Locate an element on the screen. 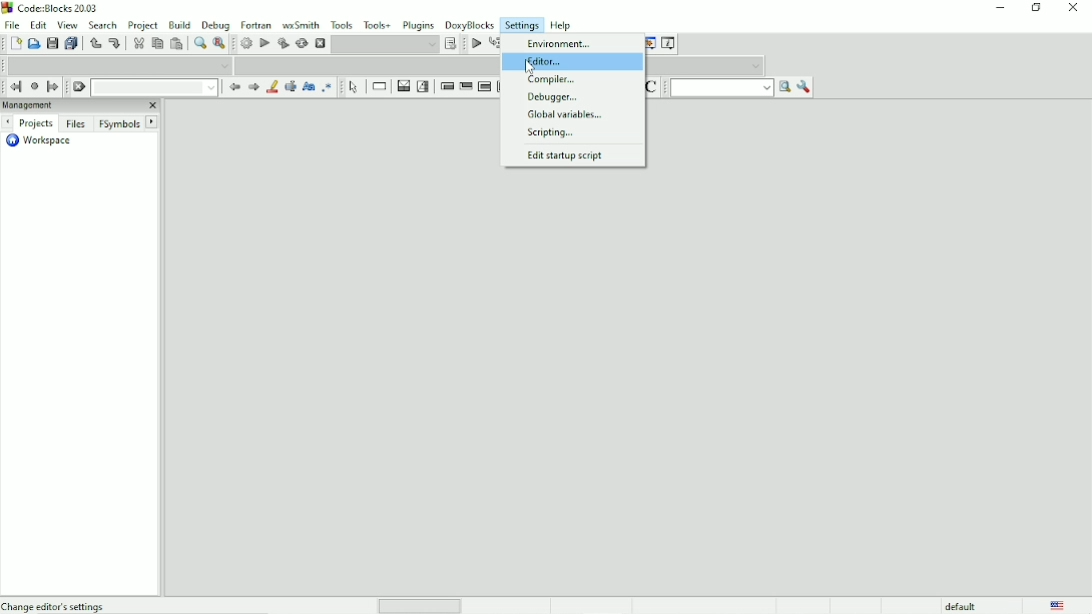 This screenshot has width=1092, height=614. Managment is located at coordinates (57, 105).